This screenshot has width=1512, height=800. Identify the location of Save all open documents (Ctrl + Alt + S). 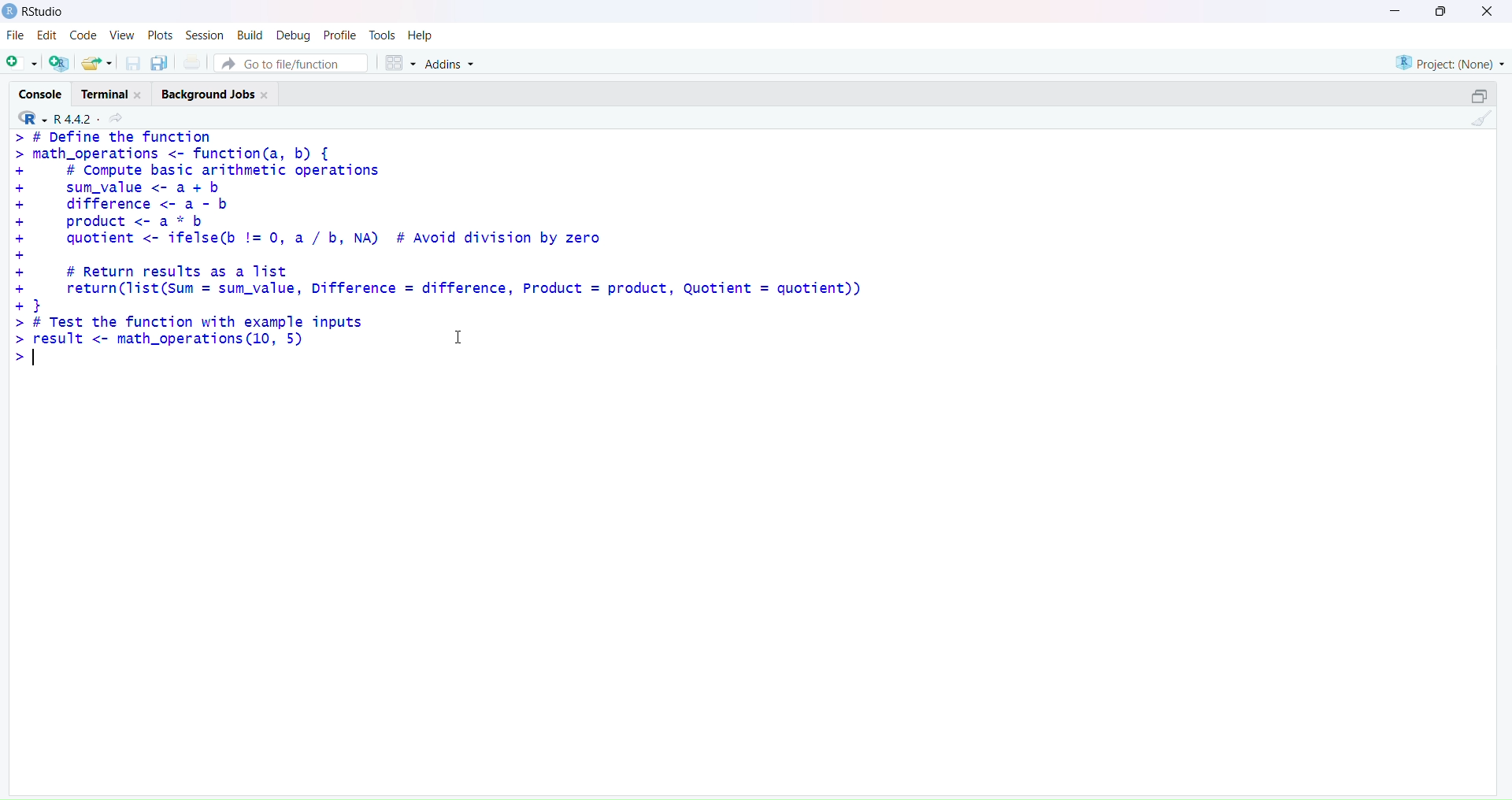
(158, 61).